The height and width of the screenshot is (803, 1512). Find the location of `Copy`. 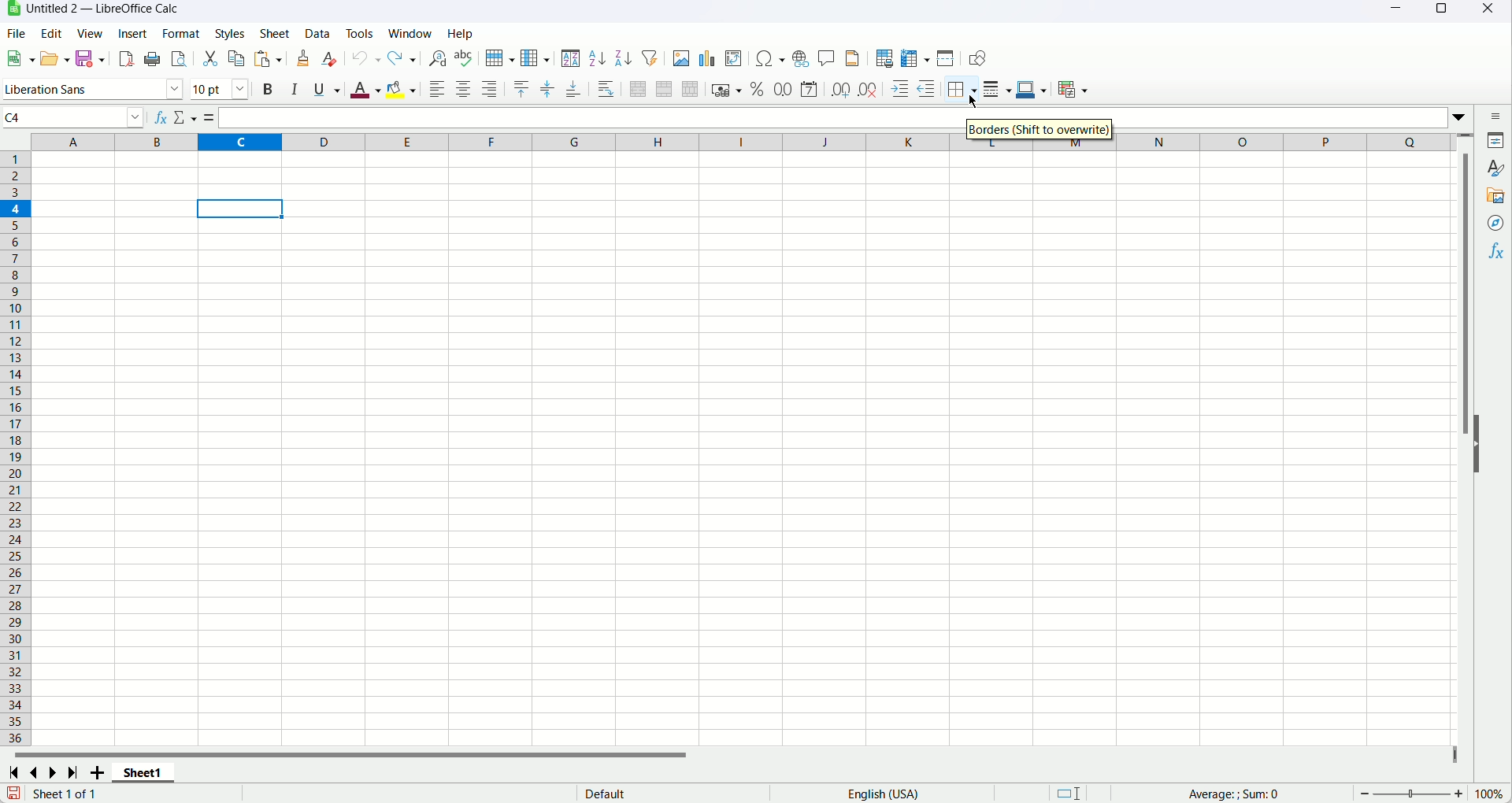

Copy is located at coordinates (236, 59).